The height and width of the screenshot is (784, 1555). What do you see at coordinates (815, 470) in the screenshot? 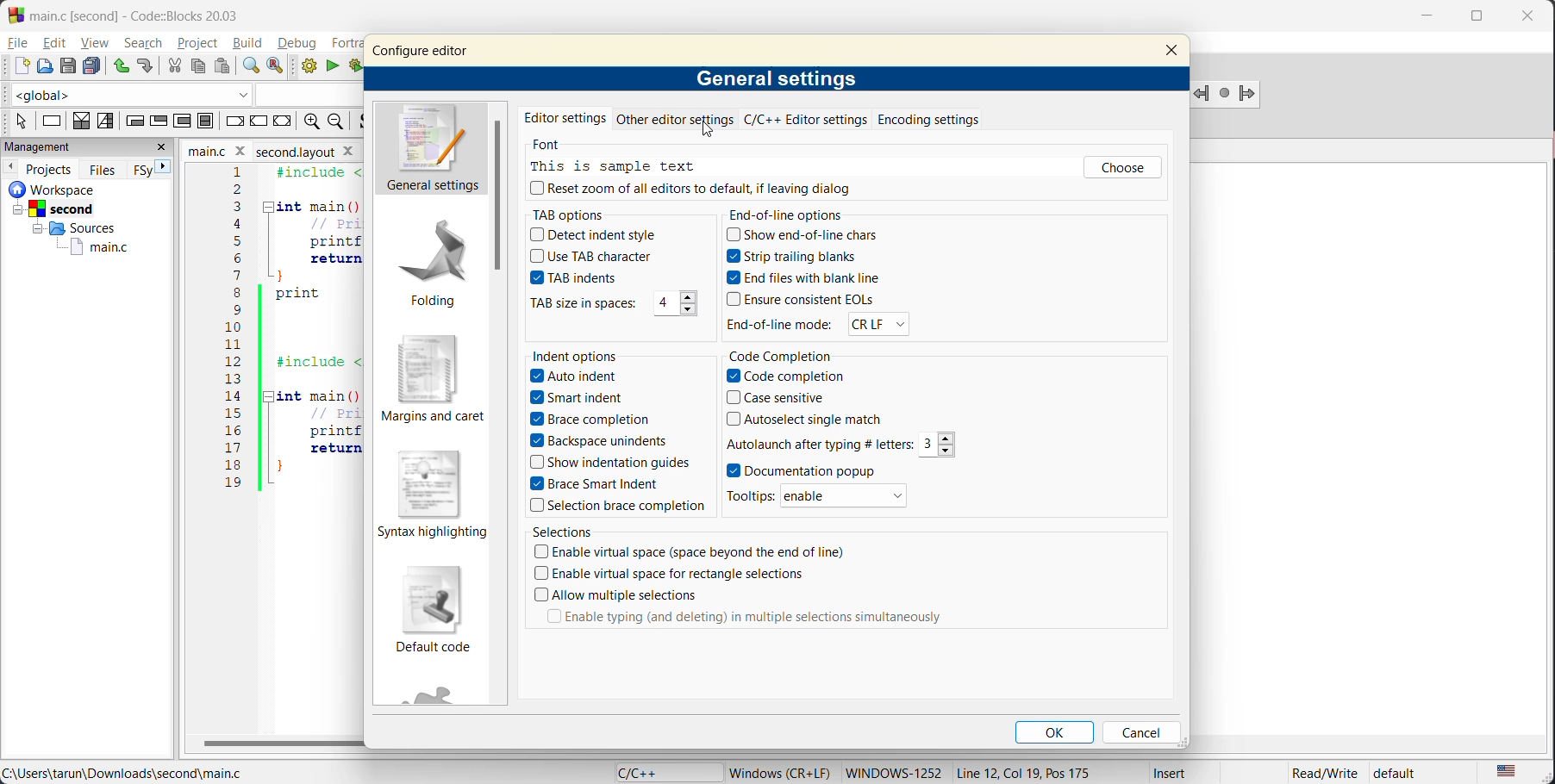
I see `Documentation popup` at bounding box center [815, 470].